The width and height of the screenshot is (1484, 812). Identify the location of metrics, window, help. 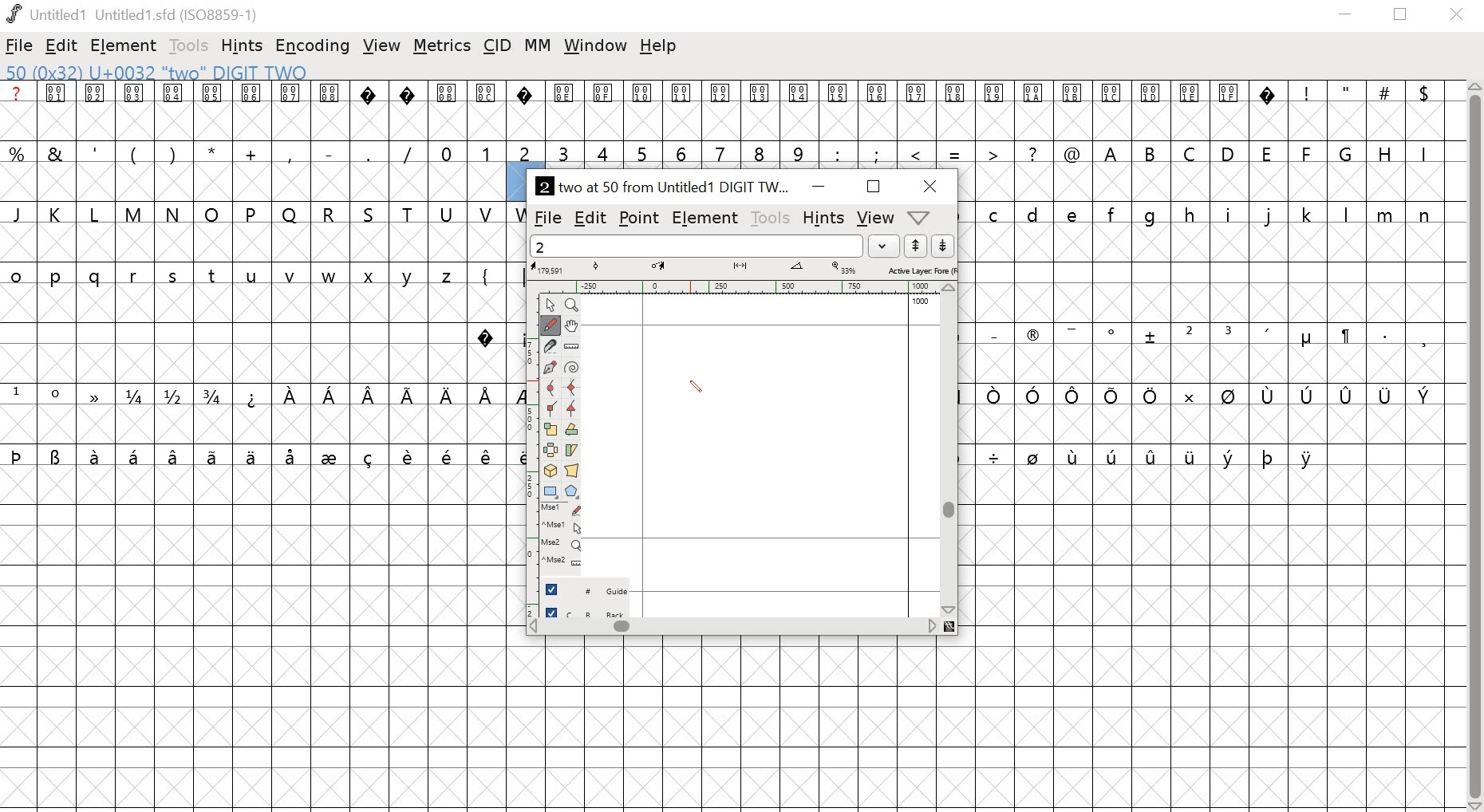
(922, 218).